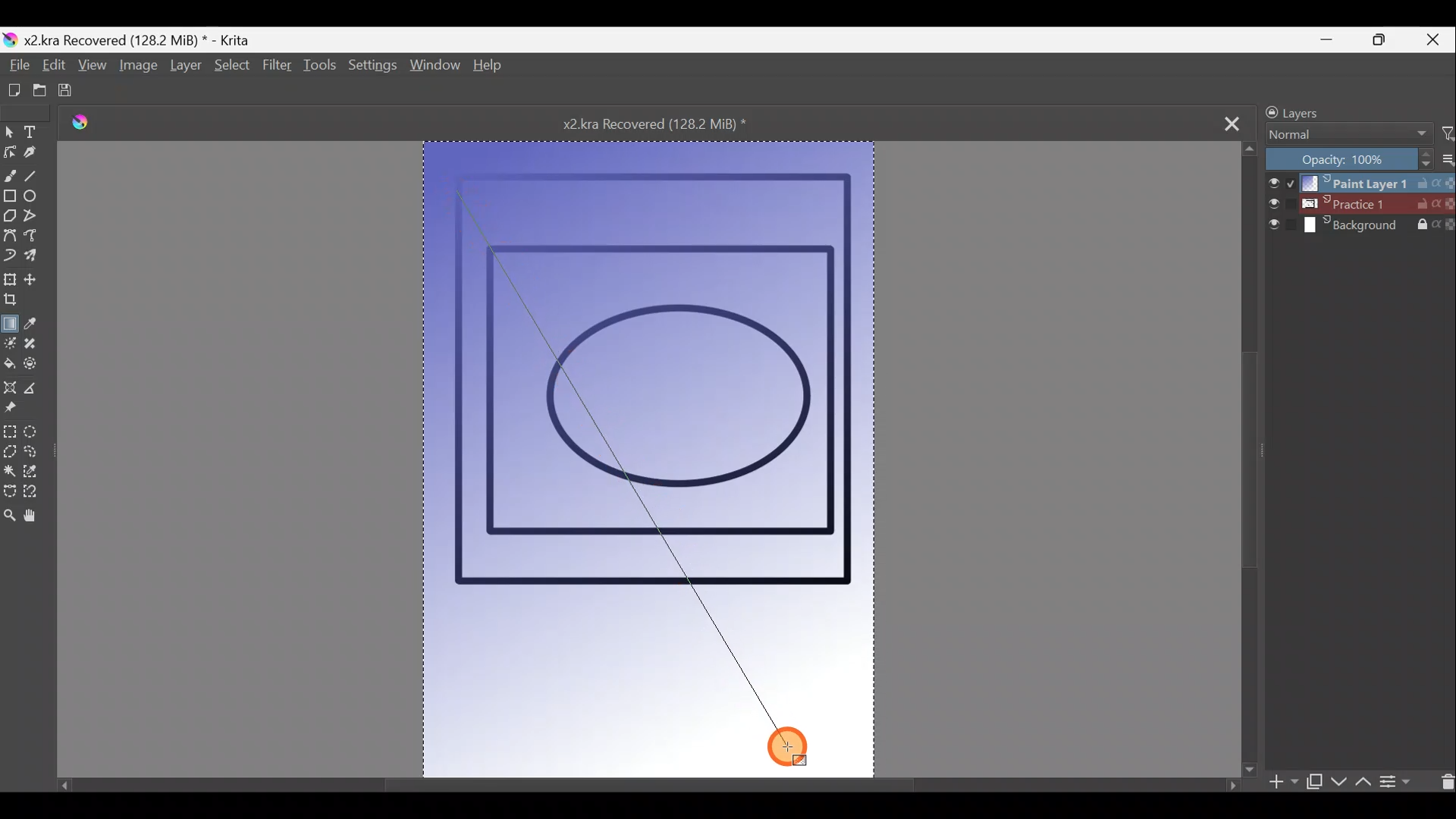 This screenshot has height=819, width=1456. I want to click on Opacity level, so click(1359, 158).